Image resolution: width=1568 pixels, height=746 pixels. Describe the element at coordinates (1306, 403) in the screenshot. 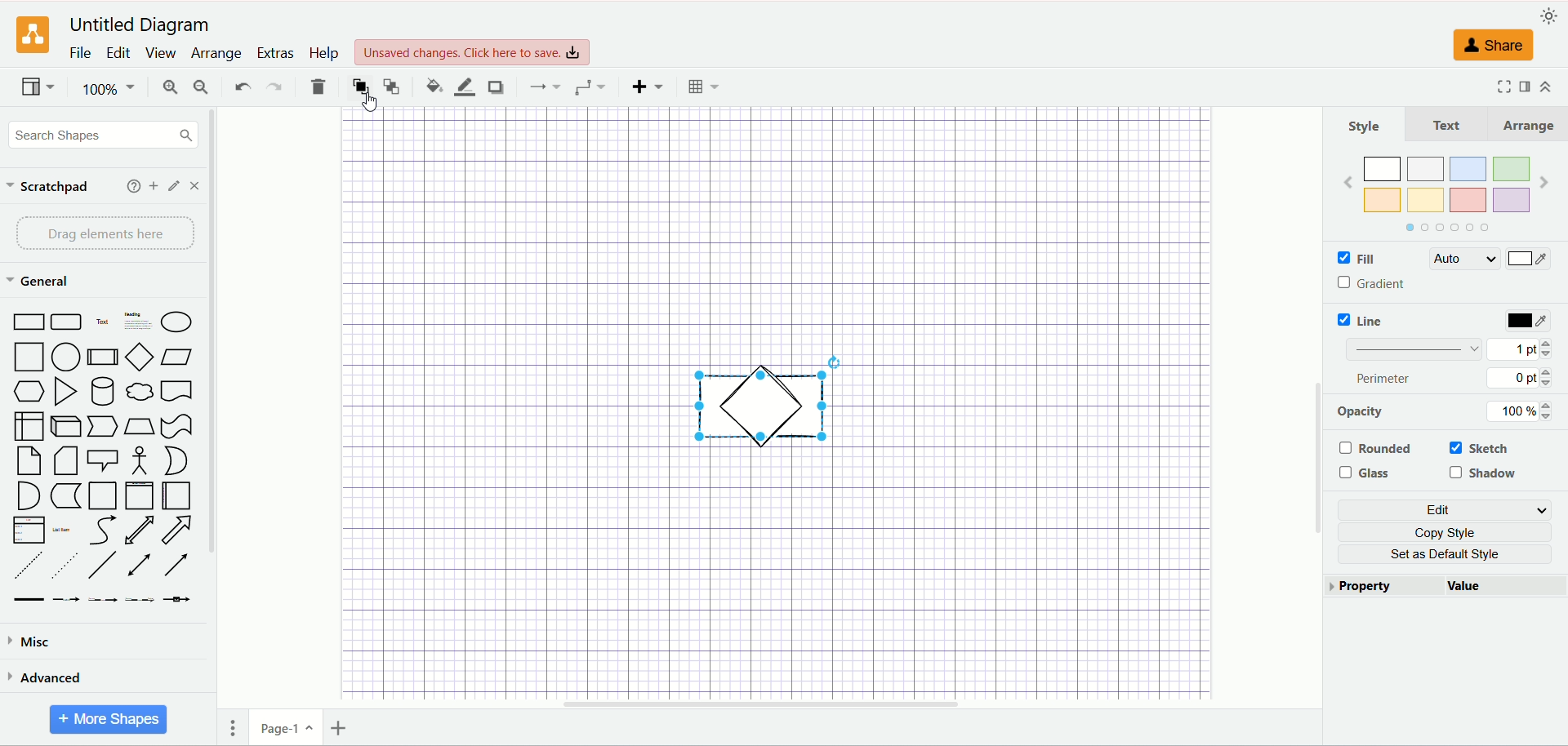

I see `vertical scroll bar` at that location.